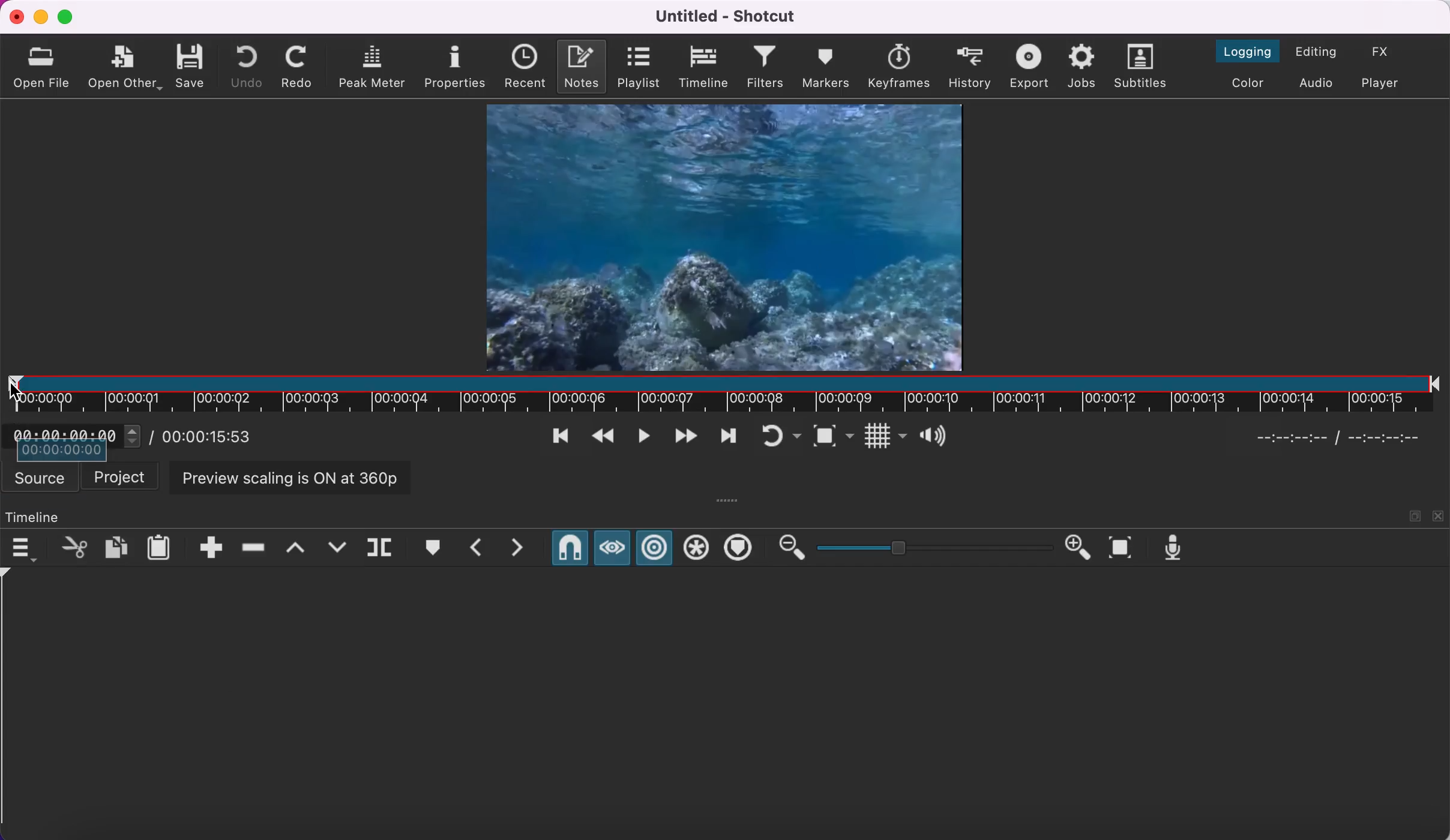 Image resolution: width=1450 pixels, height=840 pixels. I want to click on title, so click(733, 17).